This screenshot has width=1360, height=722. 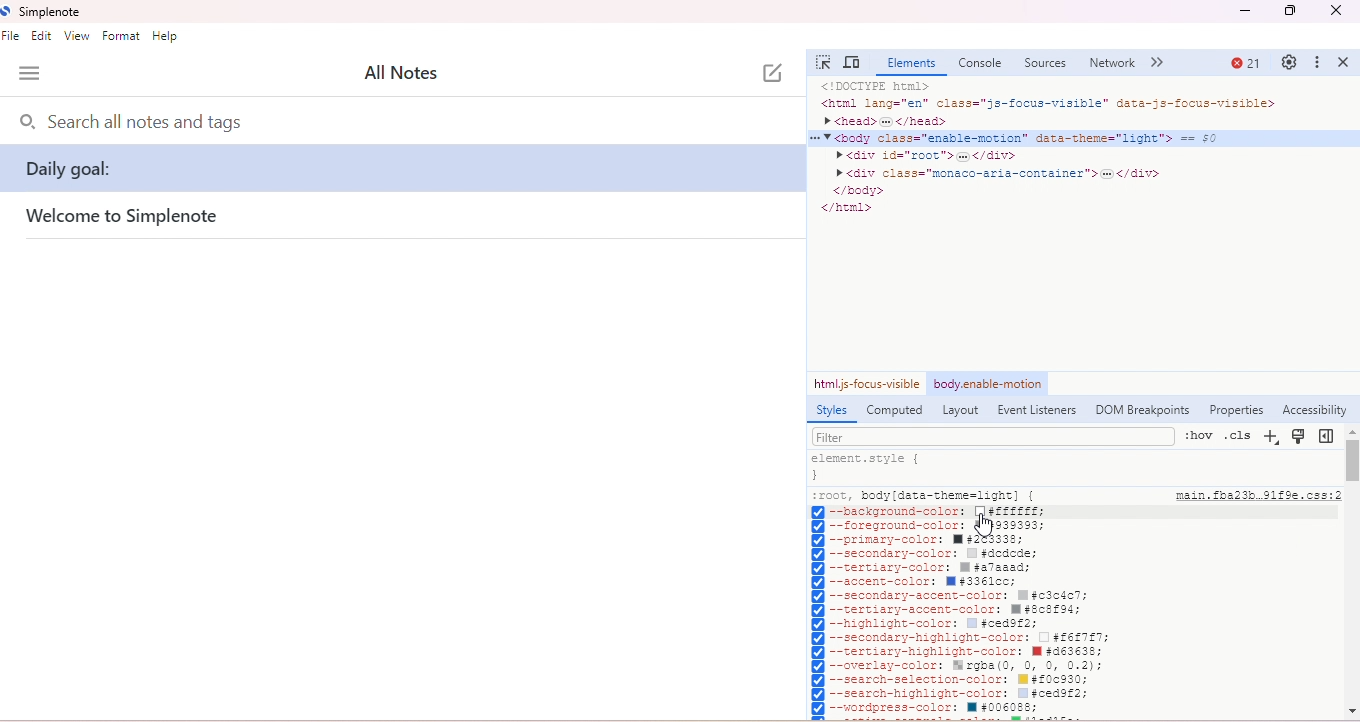 What do you see at coordinates (1113, 63) in the screenshot?
I see `network` at bounding box center [1113, 63].